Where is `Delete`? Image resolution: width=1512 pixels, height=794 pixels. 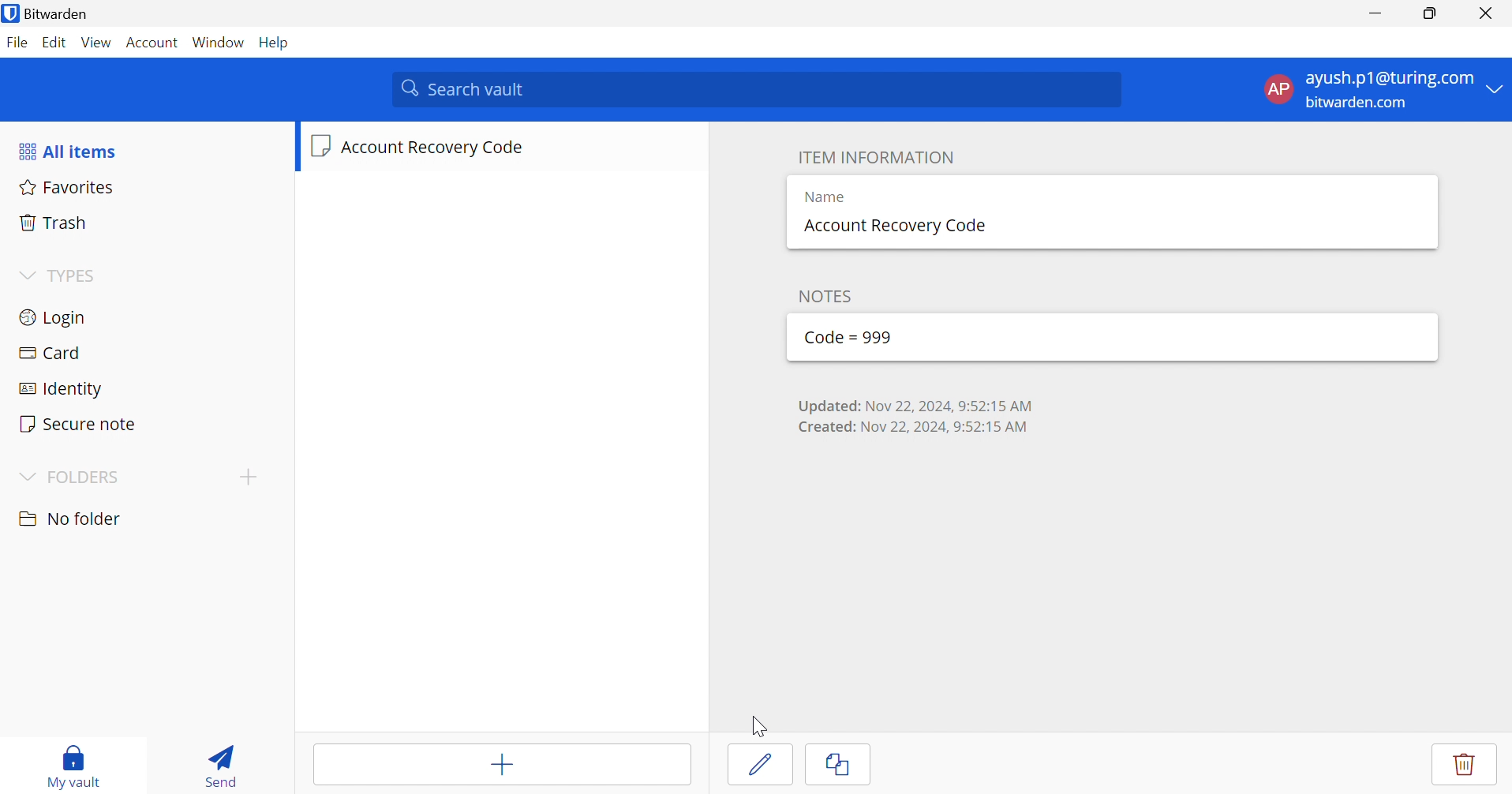
Delete is located at coordinates (1461, 765).